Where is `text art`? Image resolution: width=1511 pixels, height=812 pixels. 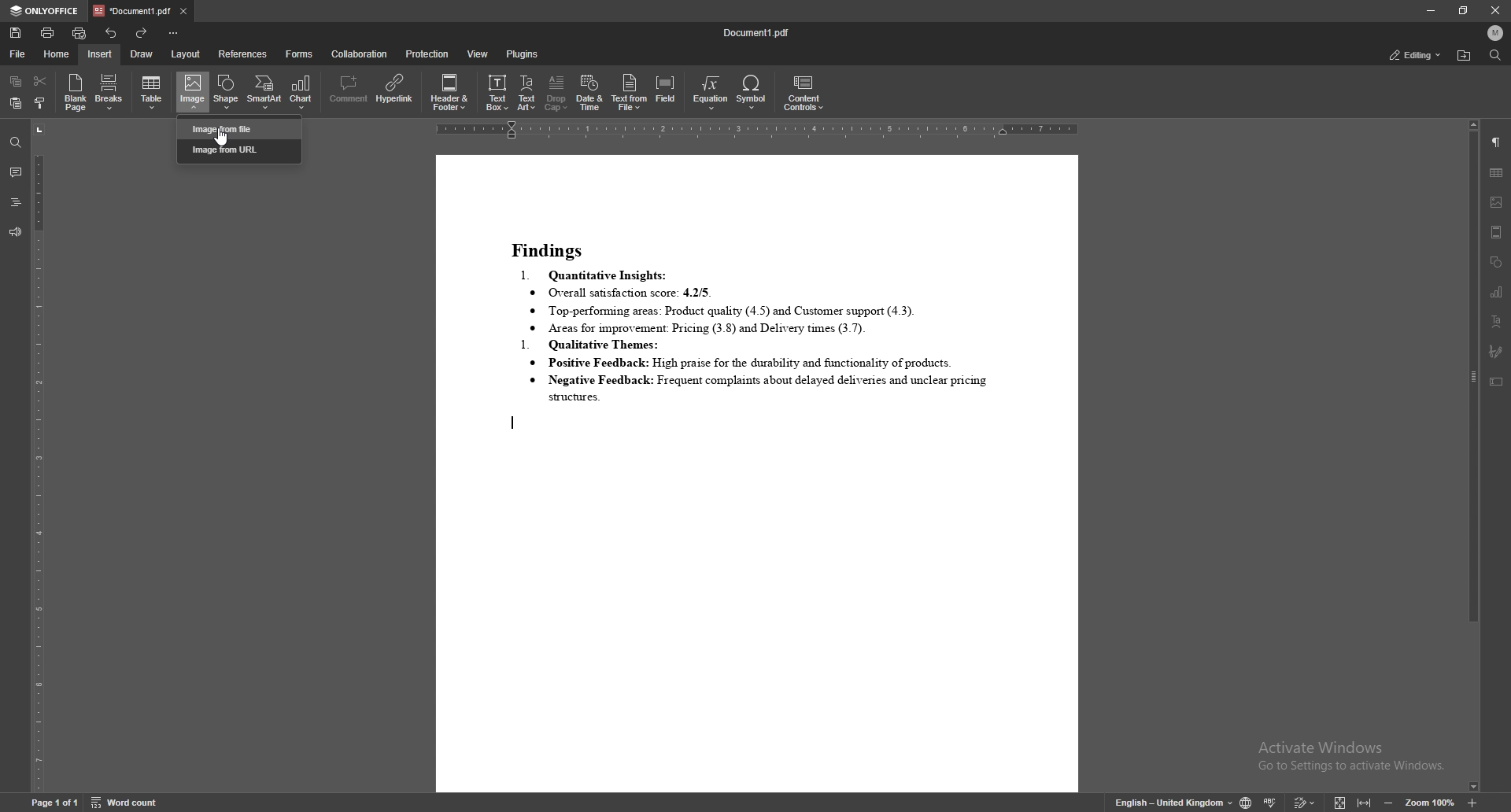 text art is located at coordinates (1497, 321).